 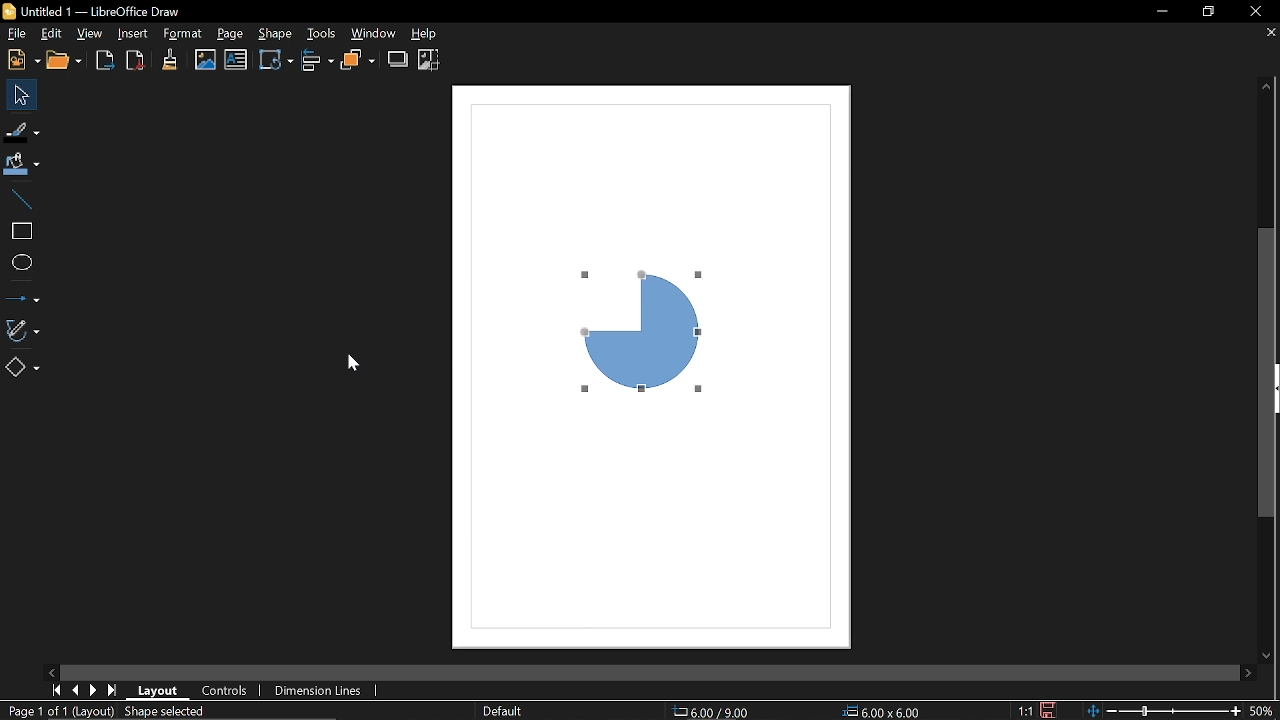 I want to click on Controls, so click(x=227, y=690).